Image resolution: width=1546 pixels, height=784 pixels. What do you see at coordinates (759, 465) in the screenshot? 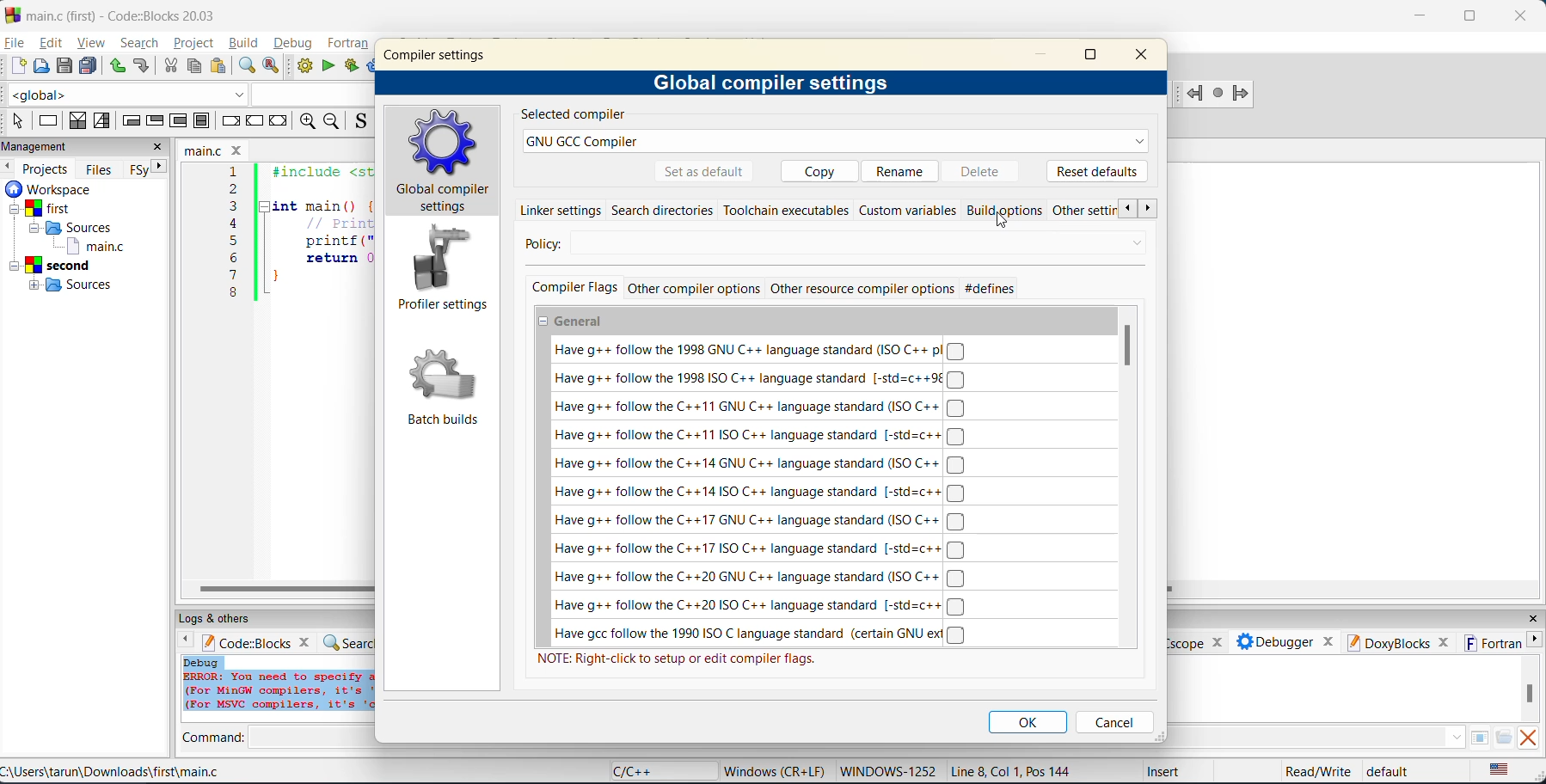
I see `Have g++ follow the C++14 GNU C++ language standard (ISO C++` at bounding box center [759, 465].